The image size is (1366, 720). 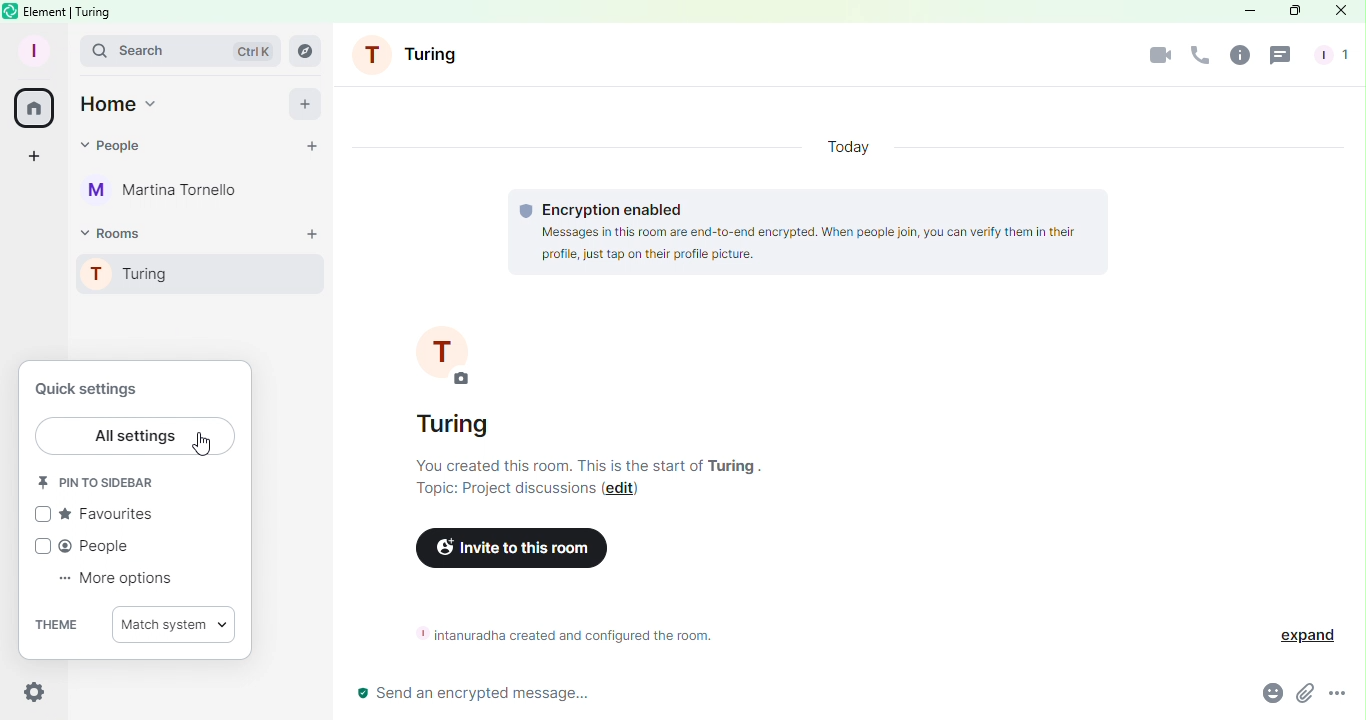 What do you see at coordinates (1155, 56) in the screenshot?
I see `Video call` at bounding box center [1155, 56].